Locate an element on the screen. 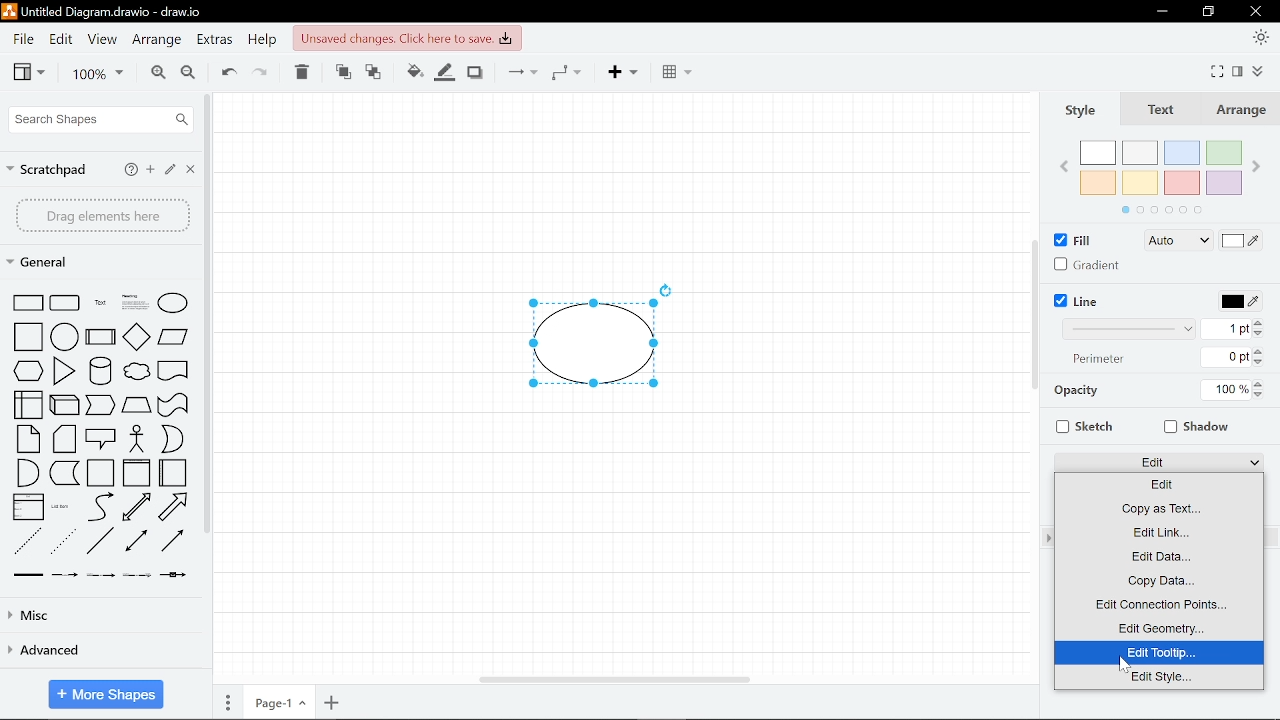  Color palette navigation is located at coordinates (1161, 211).